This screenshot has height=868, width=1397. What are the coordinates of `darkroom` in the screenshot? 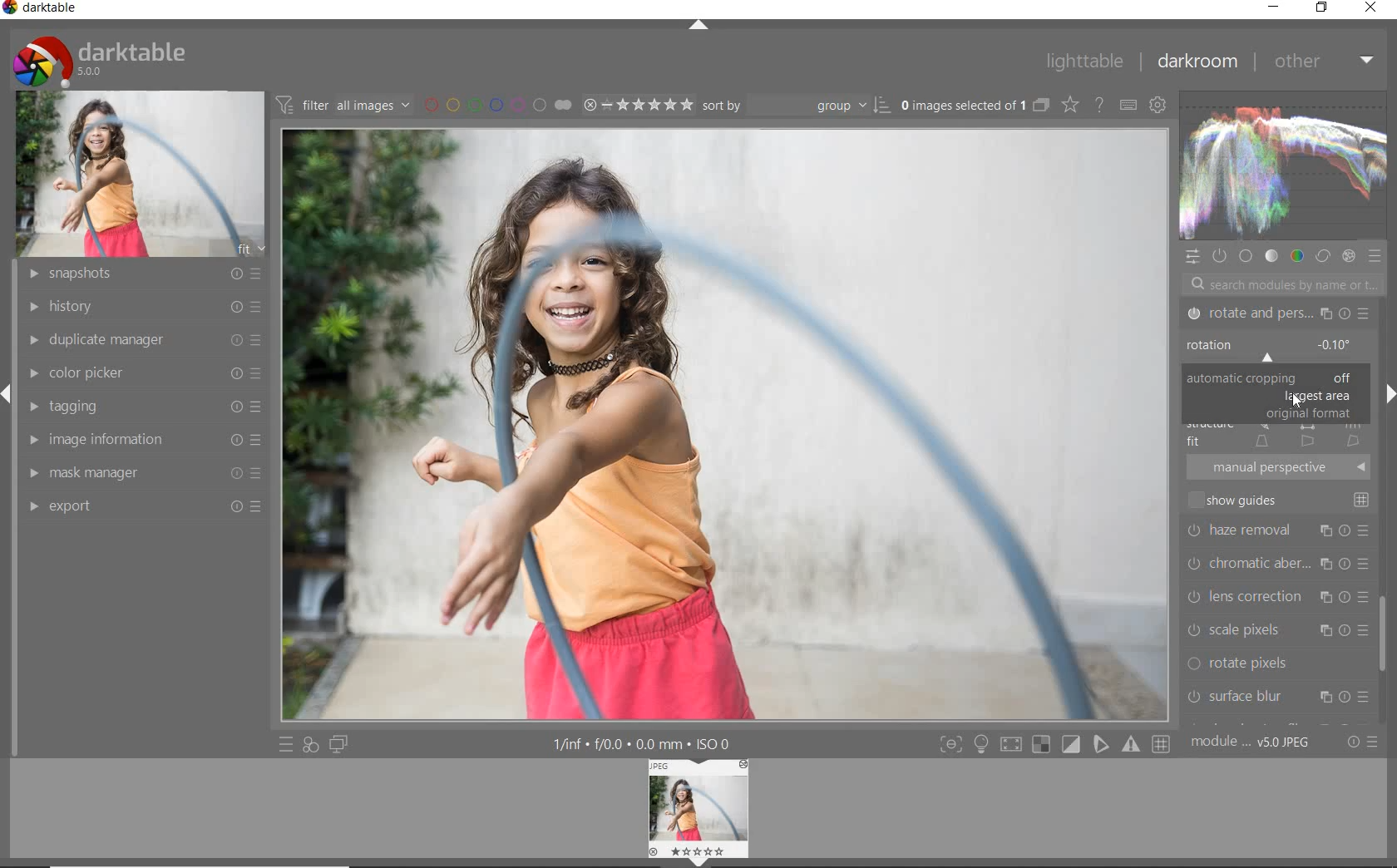 It's located at (1198, 60).